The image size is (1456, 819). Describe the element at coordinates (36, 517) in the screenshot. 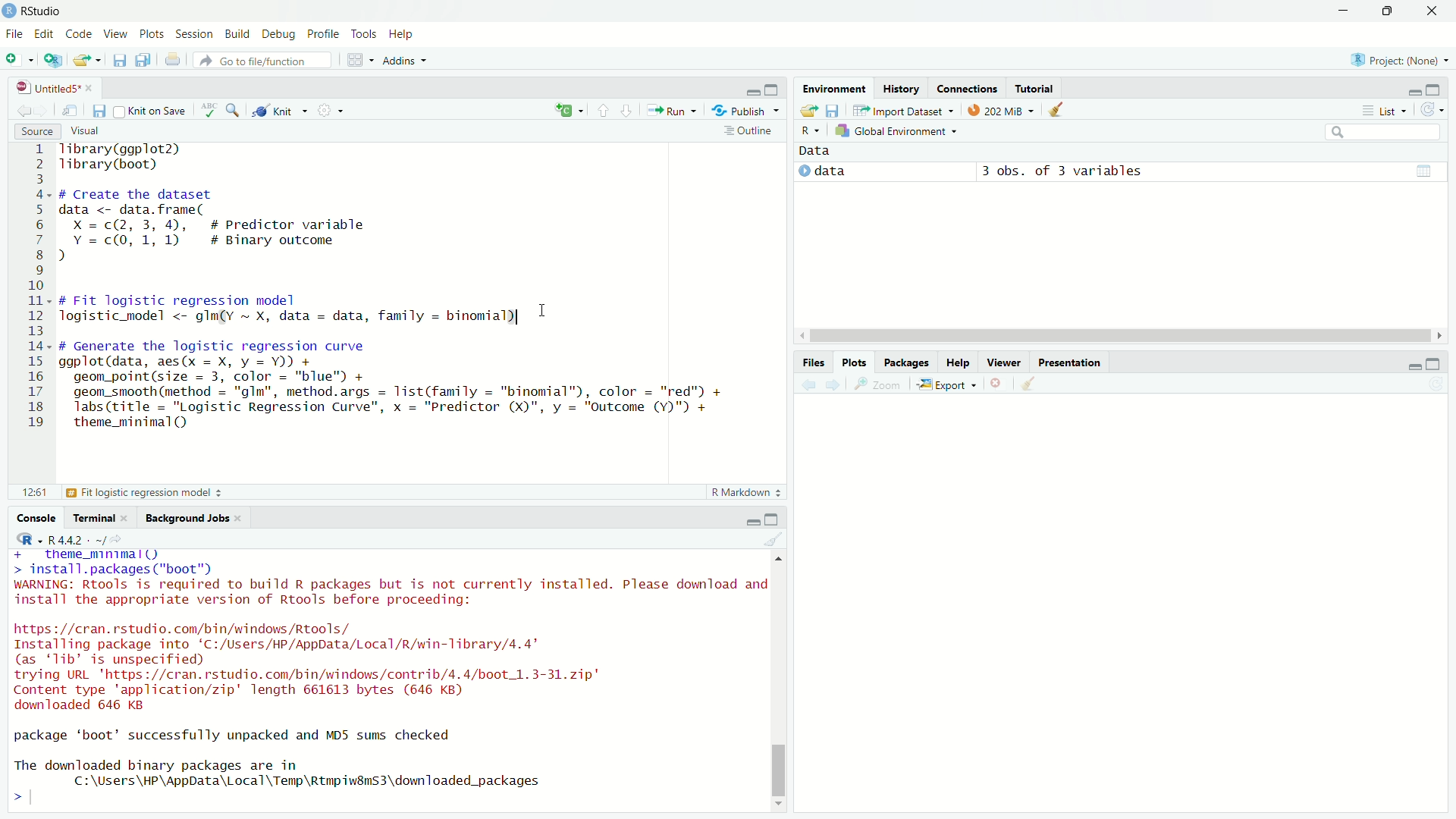

I see `Console` at that location.